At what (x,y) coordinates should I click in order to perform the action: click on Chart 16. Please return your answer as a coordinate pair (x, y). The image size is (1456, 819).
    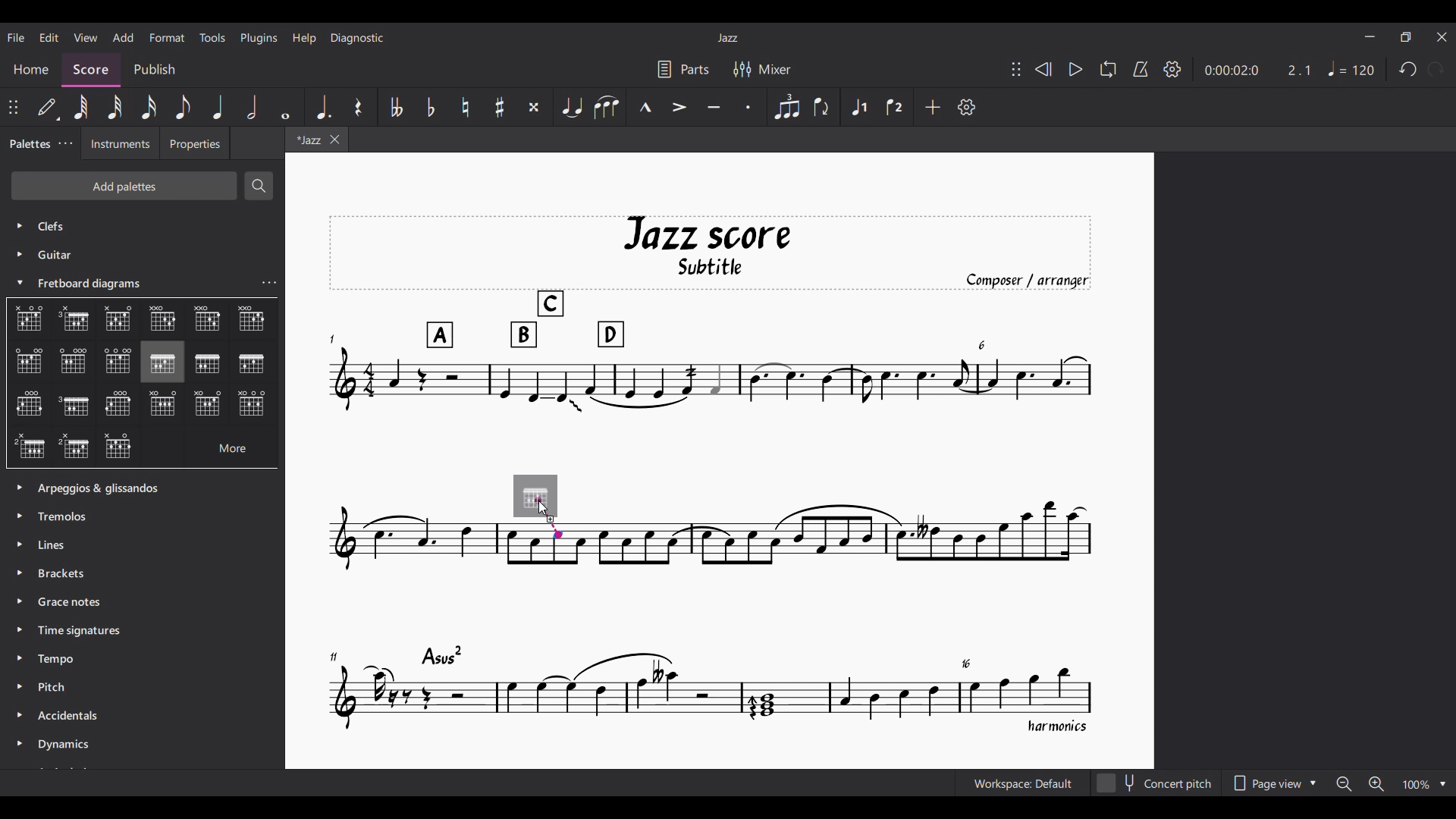
    Looking at the image, I should click on (209, 403).